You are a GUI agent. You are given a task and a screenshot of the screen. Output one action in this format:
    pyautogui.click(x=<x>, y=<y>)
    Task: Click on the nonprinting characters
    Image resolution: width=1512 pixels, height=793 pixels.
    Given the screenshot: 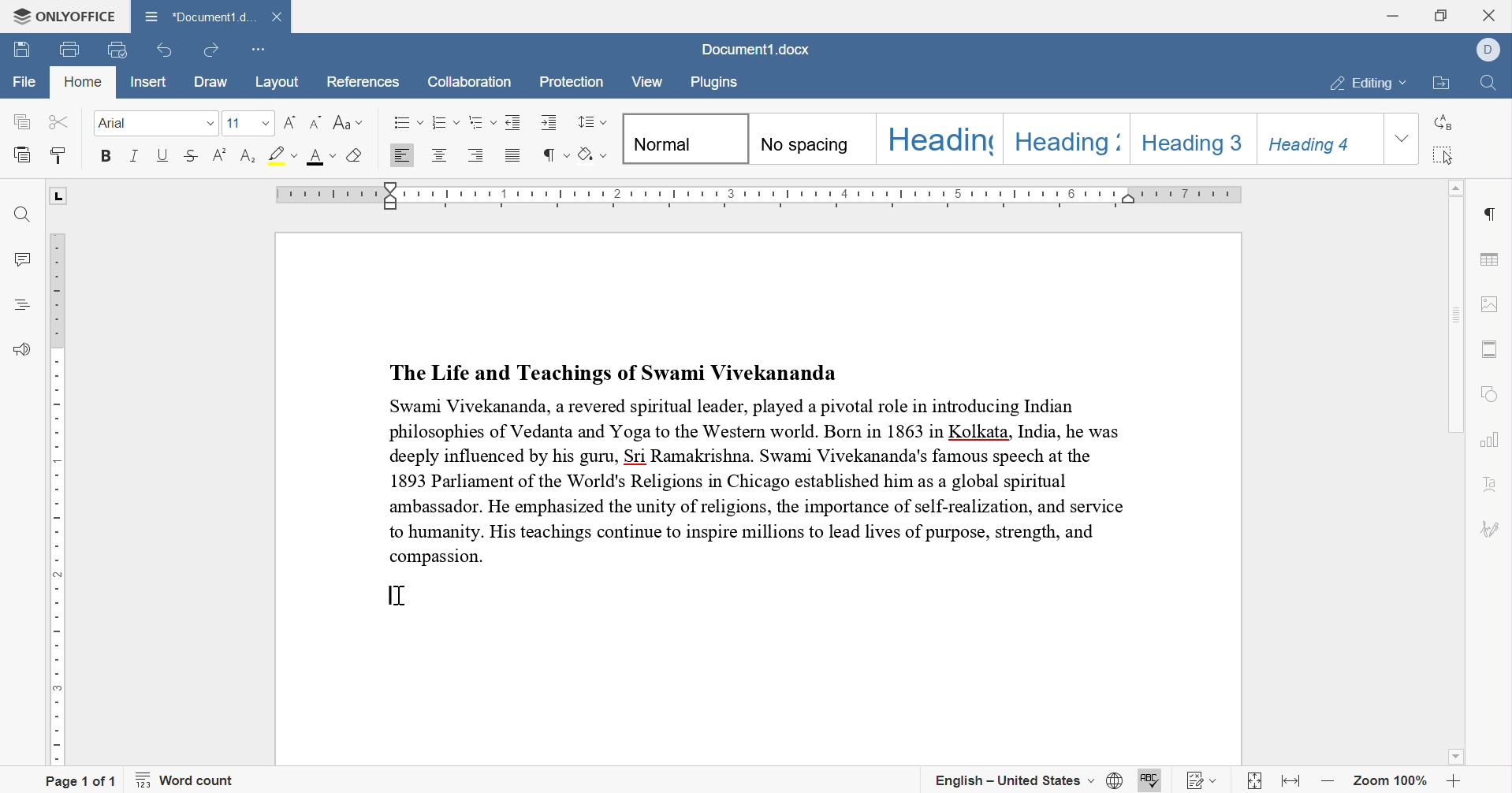 What is the action you would take?
    pyautogui.click(x=553, y=155)
    